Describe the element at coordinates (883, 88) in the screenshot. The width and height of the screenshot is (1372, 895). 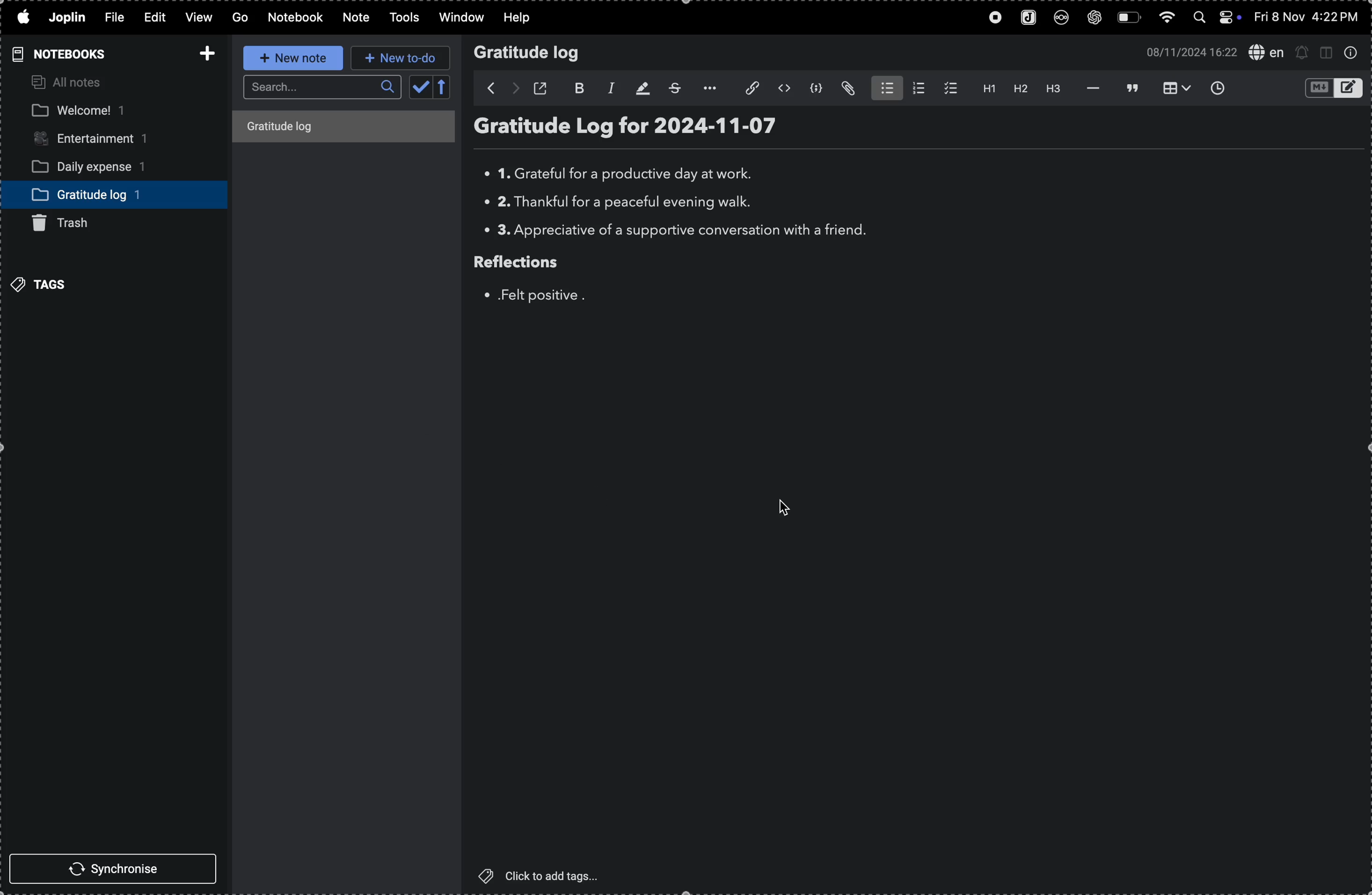
I see `bullet list` at that location.